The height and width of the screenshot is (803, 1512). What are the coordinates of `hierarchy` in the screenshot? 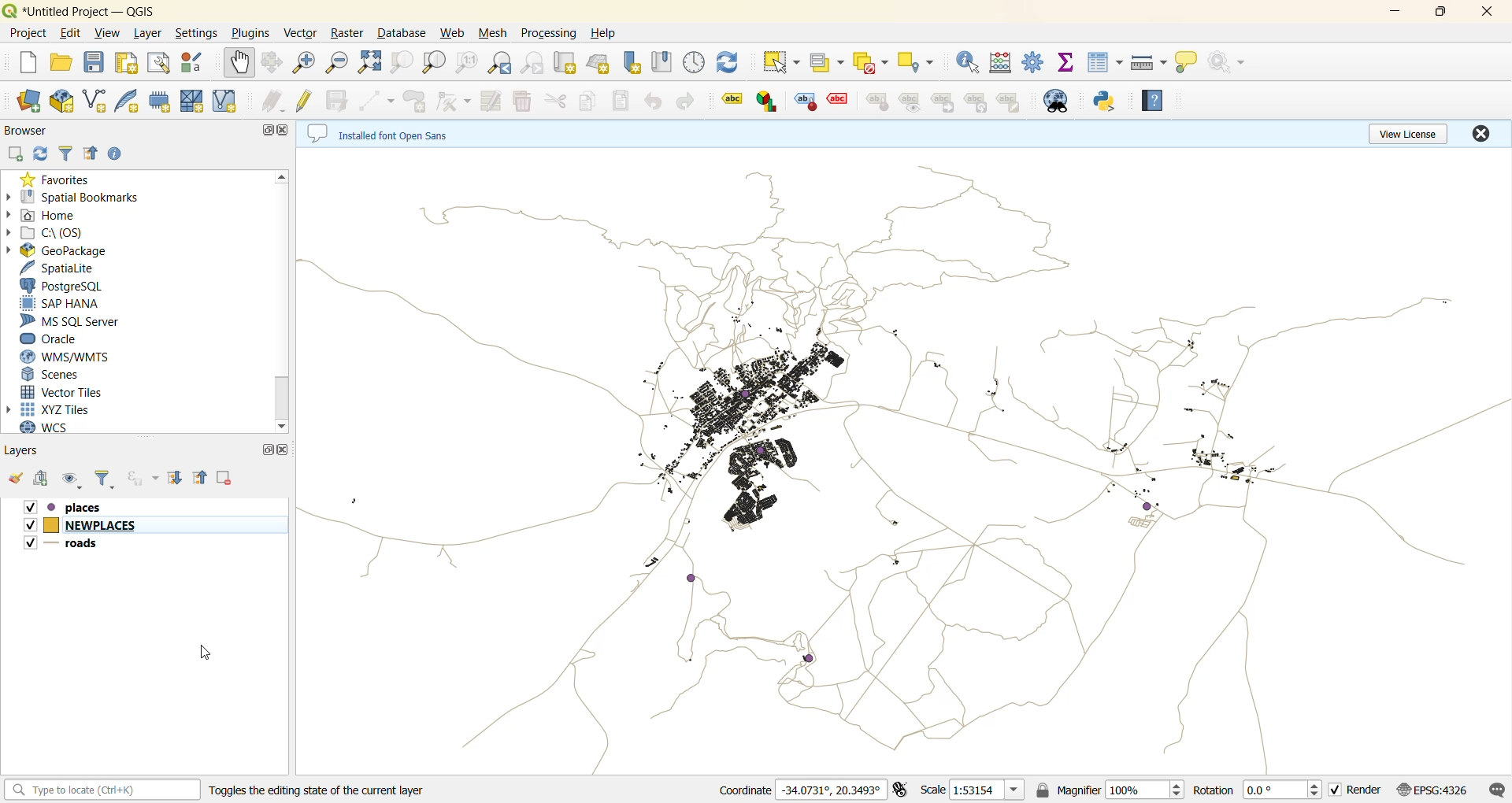 It's located at (977, 102).